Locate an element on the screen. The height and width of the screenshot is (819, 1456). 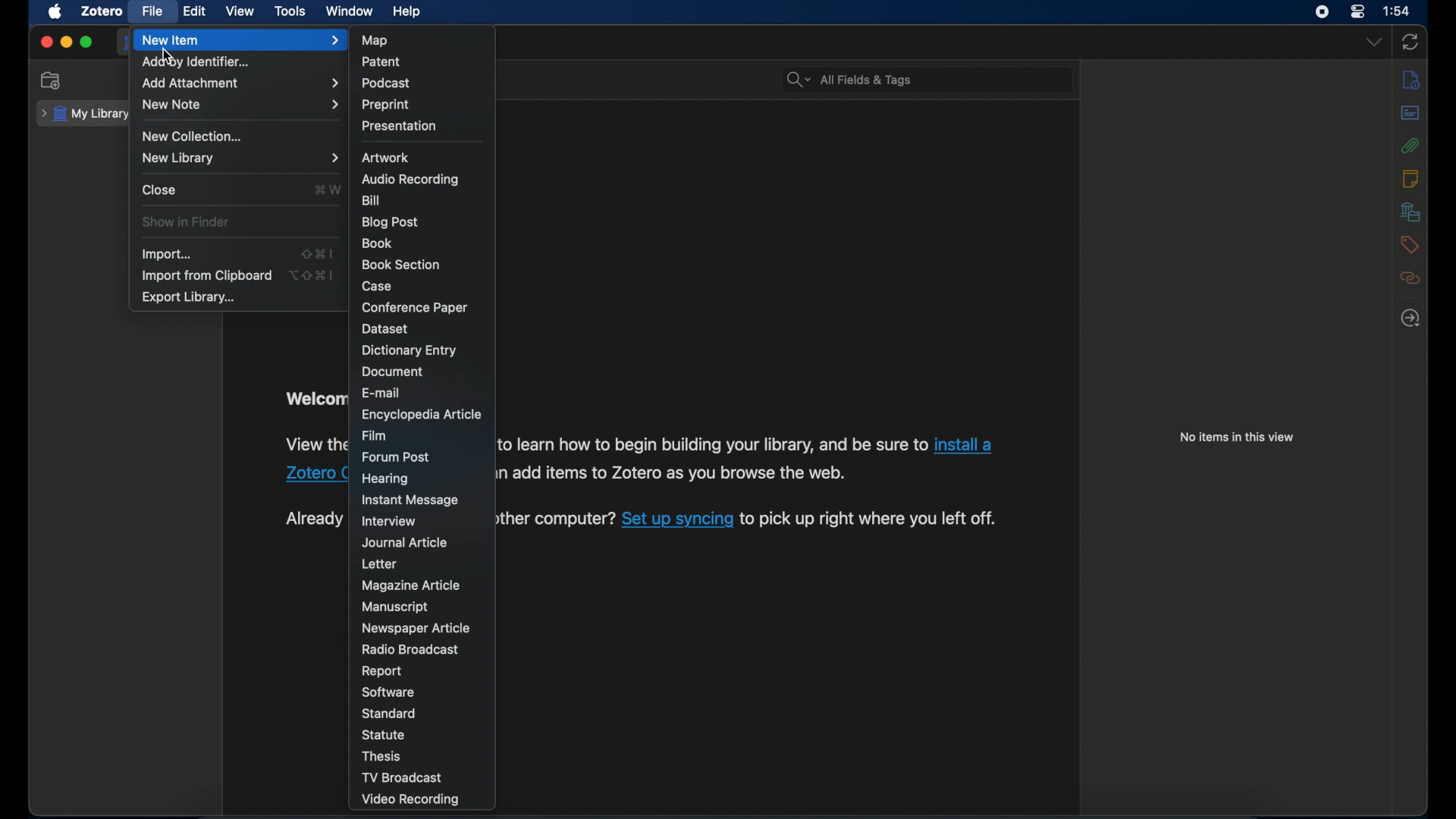
file is located at coordinates (153, 10).